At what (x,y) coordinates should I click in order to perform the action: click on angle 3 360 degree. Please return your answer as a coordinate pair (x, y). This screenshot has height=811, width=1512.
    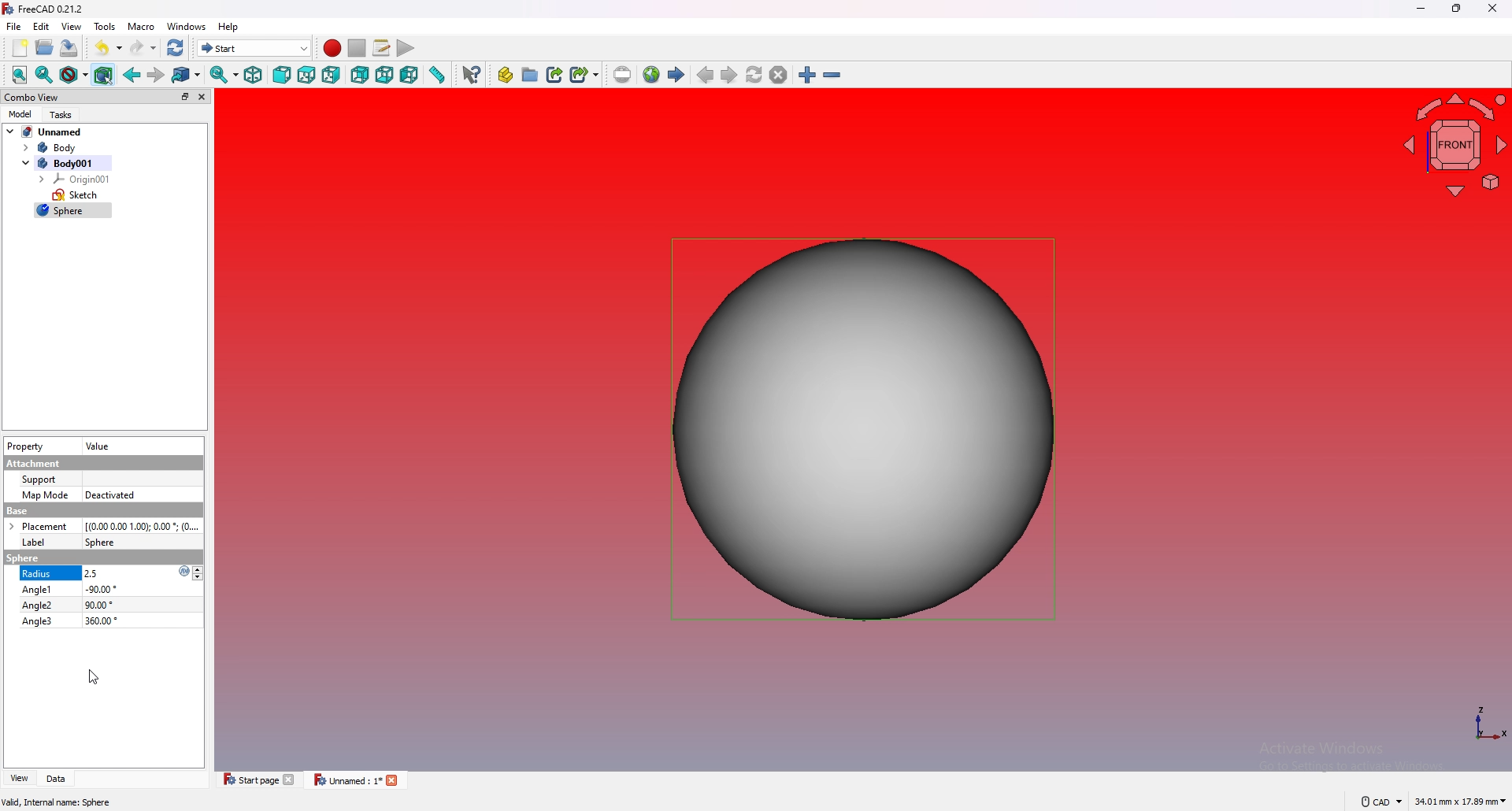
    Looking at the image, I should click on (69, 620).